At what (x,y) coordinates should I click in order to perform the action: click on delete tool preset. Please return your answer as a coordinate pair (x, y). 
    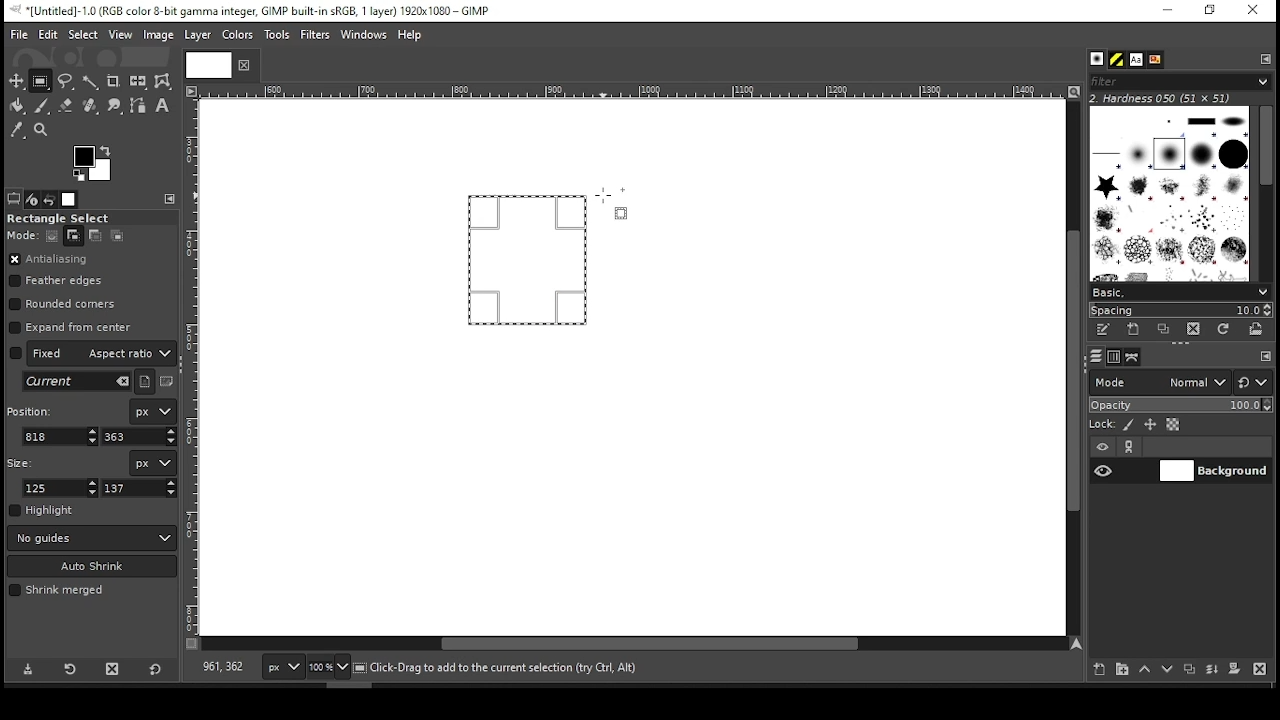
    Looking at the image, I should click on (118, 668).